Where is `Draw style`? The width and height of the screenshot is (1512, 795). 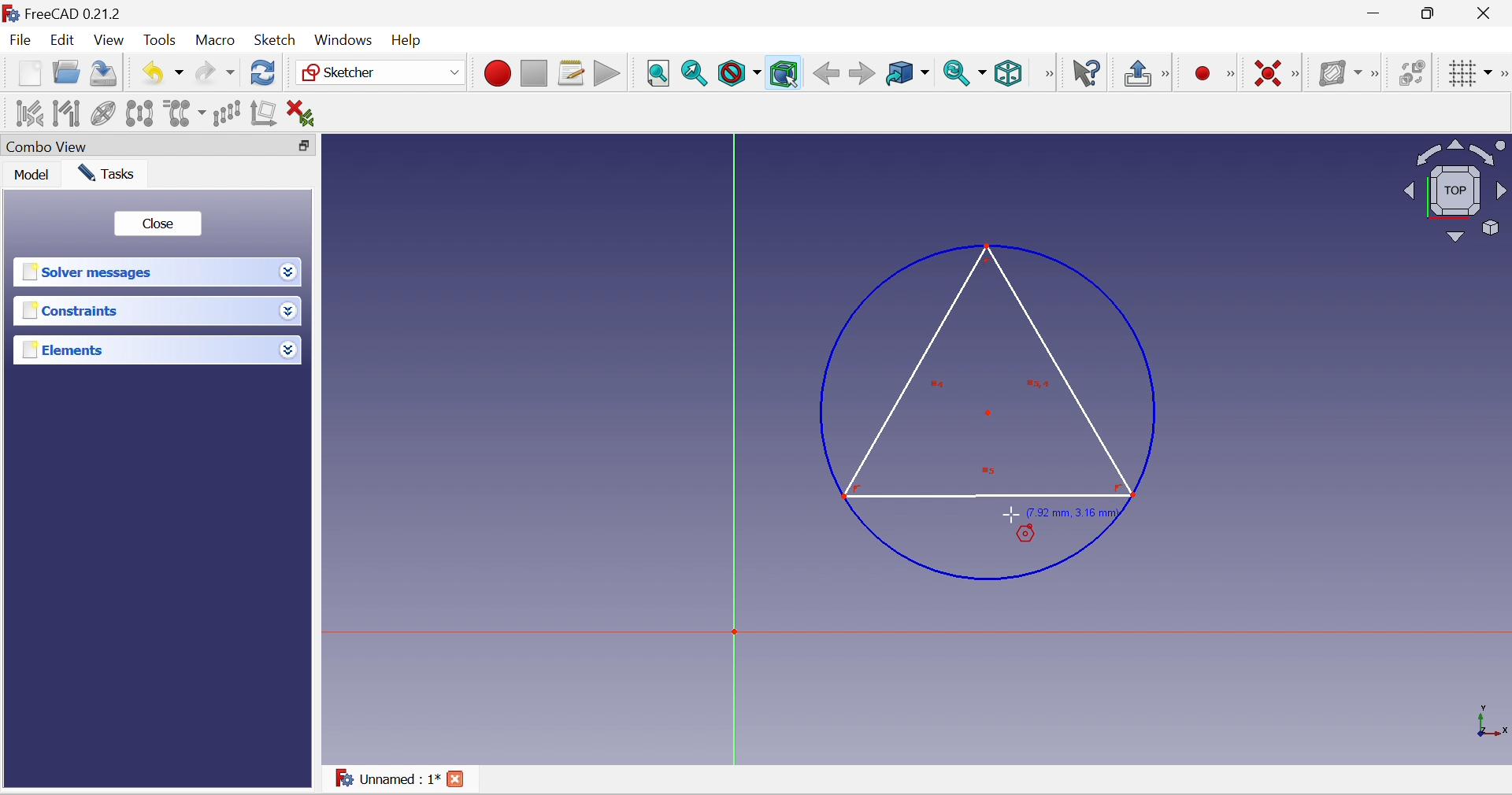 Draw style is located at coordinates (738, 74).